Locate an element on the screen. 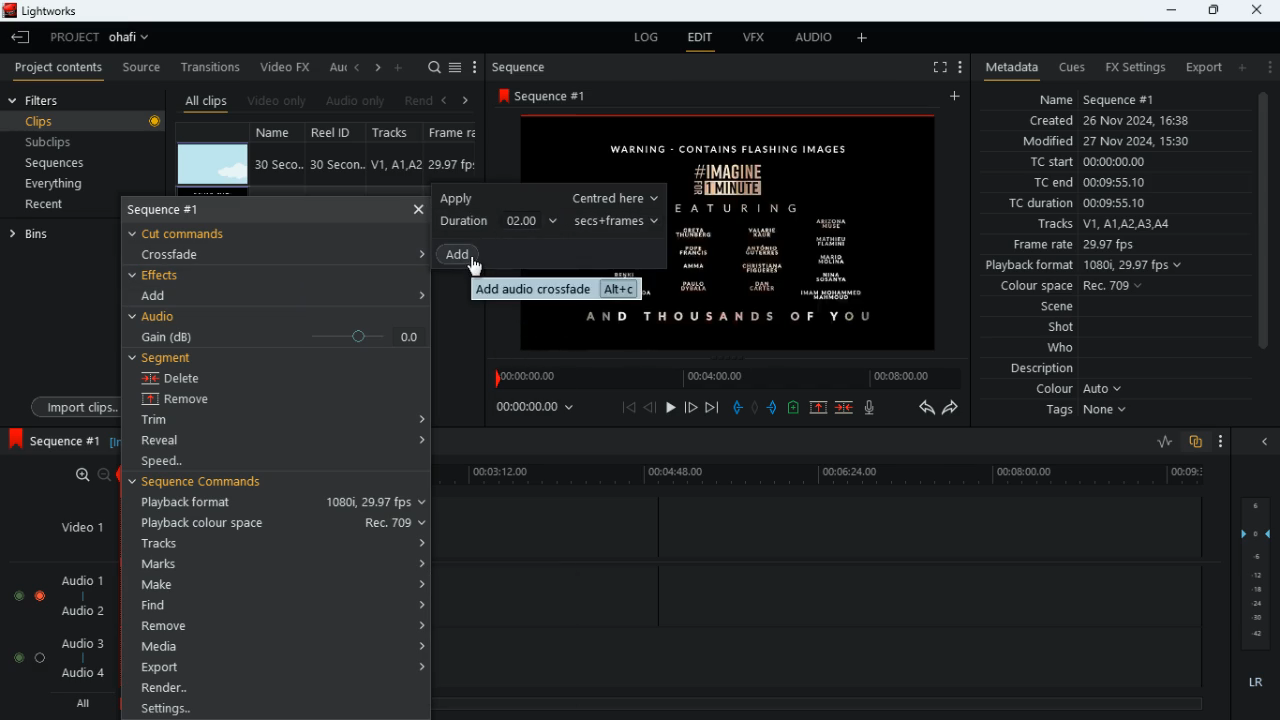  add is located at coordinates (1241, 67).